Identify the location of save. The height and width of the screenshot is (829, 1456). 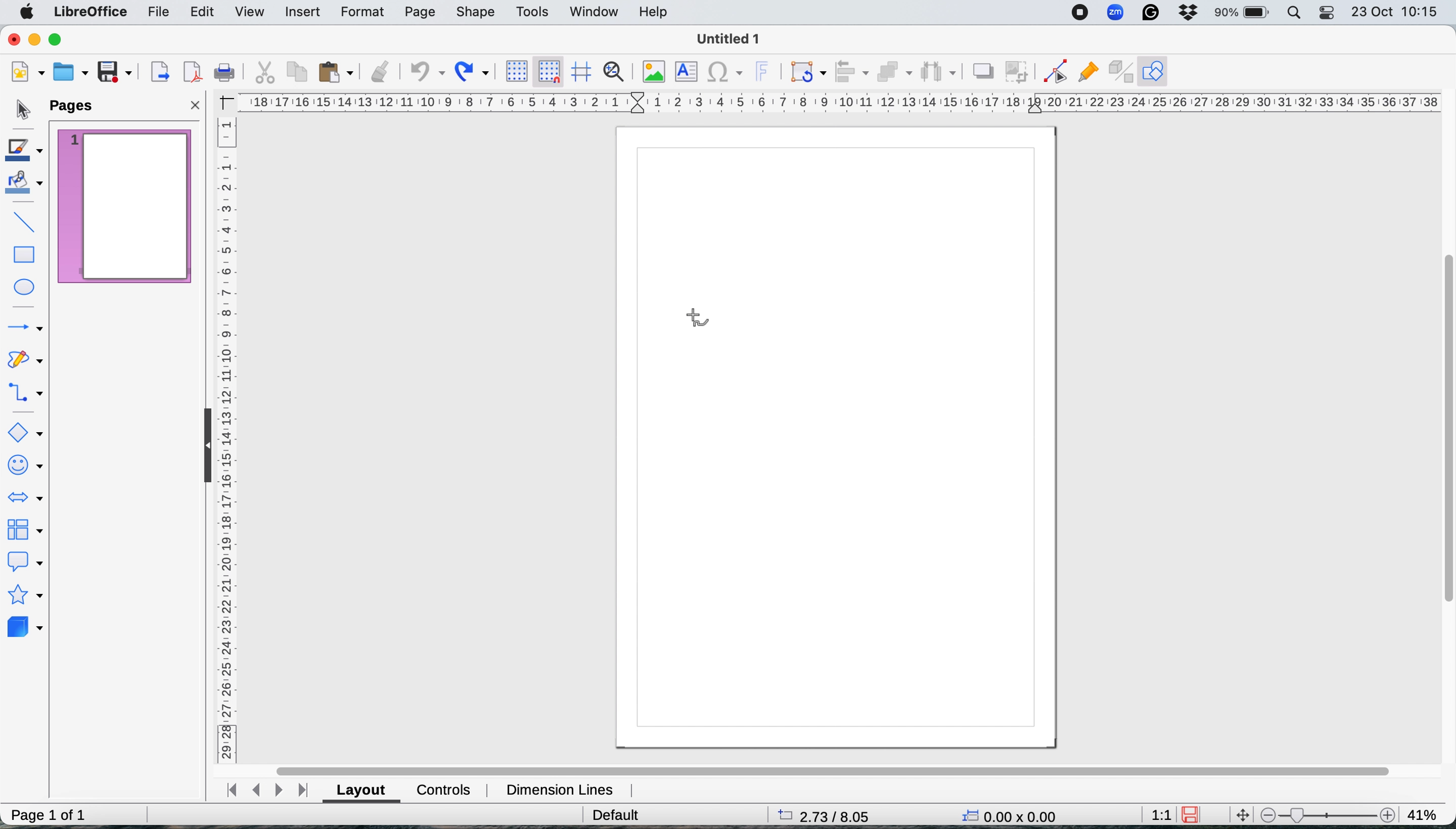
(118, 72).